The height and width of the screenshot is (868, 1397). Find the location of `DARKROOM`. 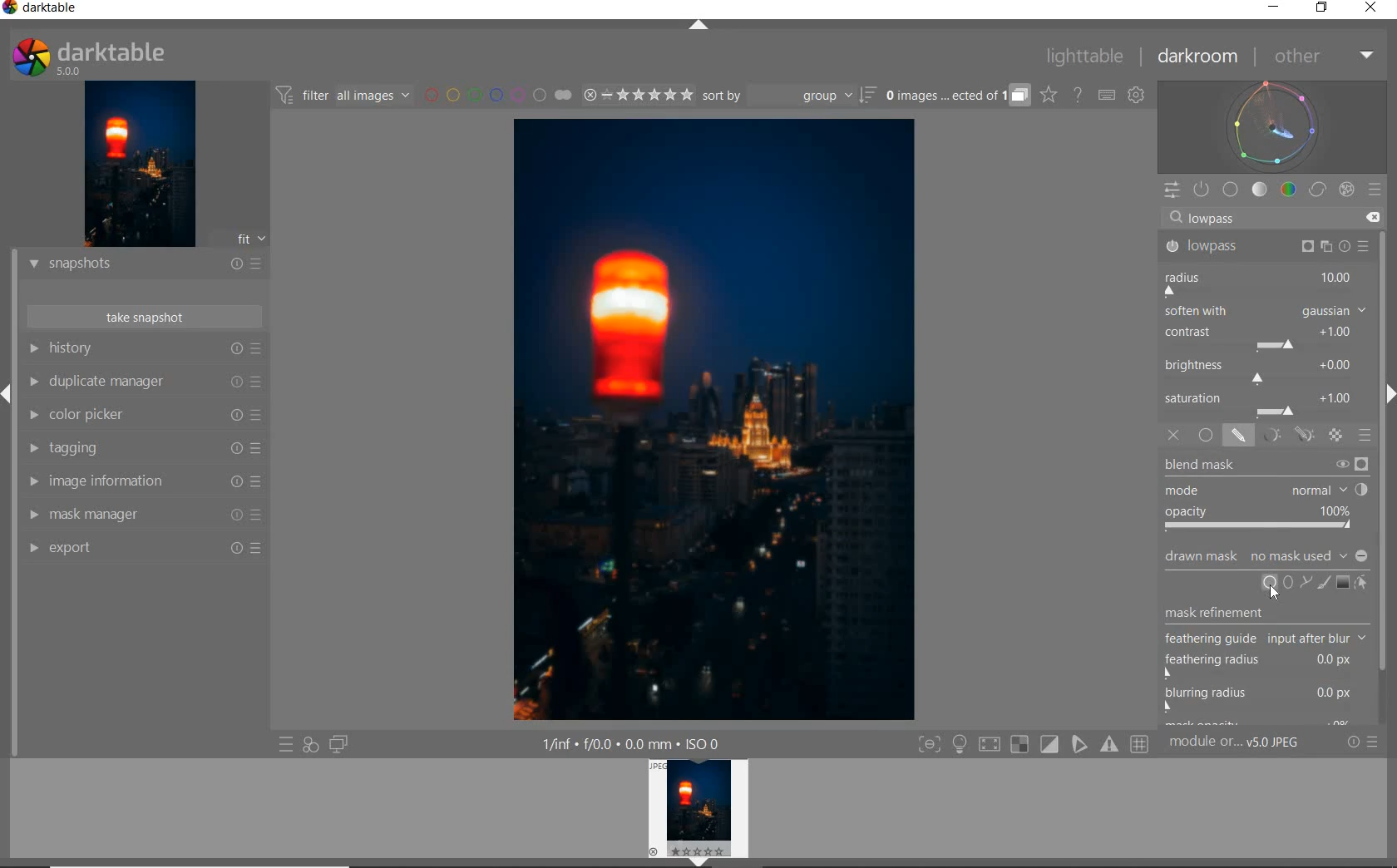

DARKROOM is located at coordinates (1201, 57).